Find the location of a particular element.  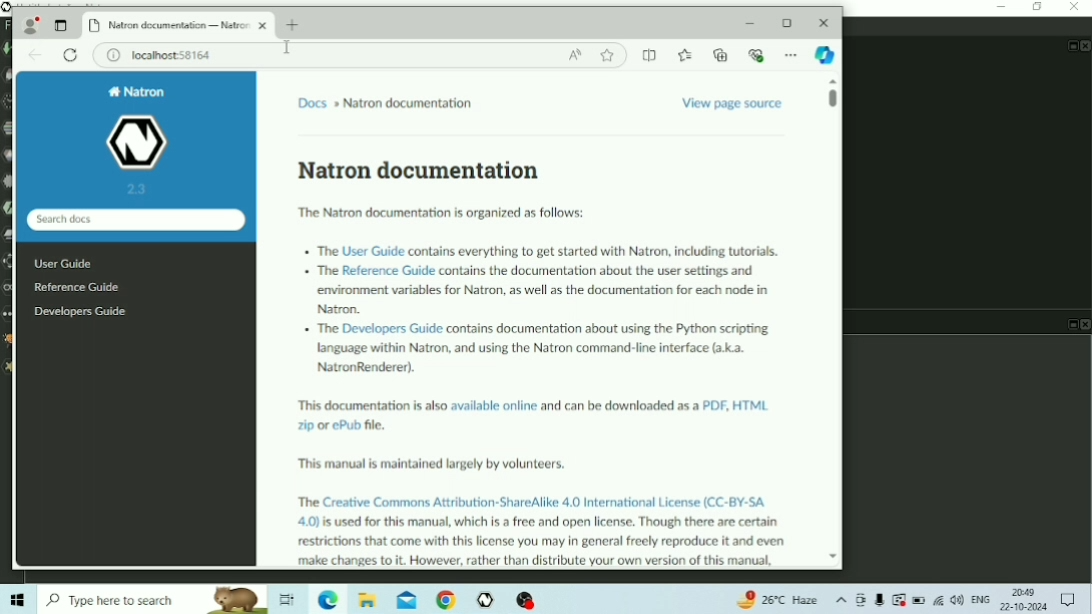

This manual is maintained largely by volunteers. is located at coordinates (433, 465).